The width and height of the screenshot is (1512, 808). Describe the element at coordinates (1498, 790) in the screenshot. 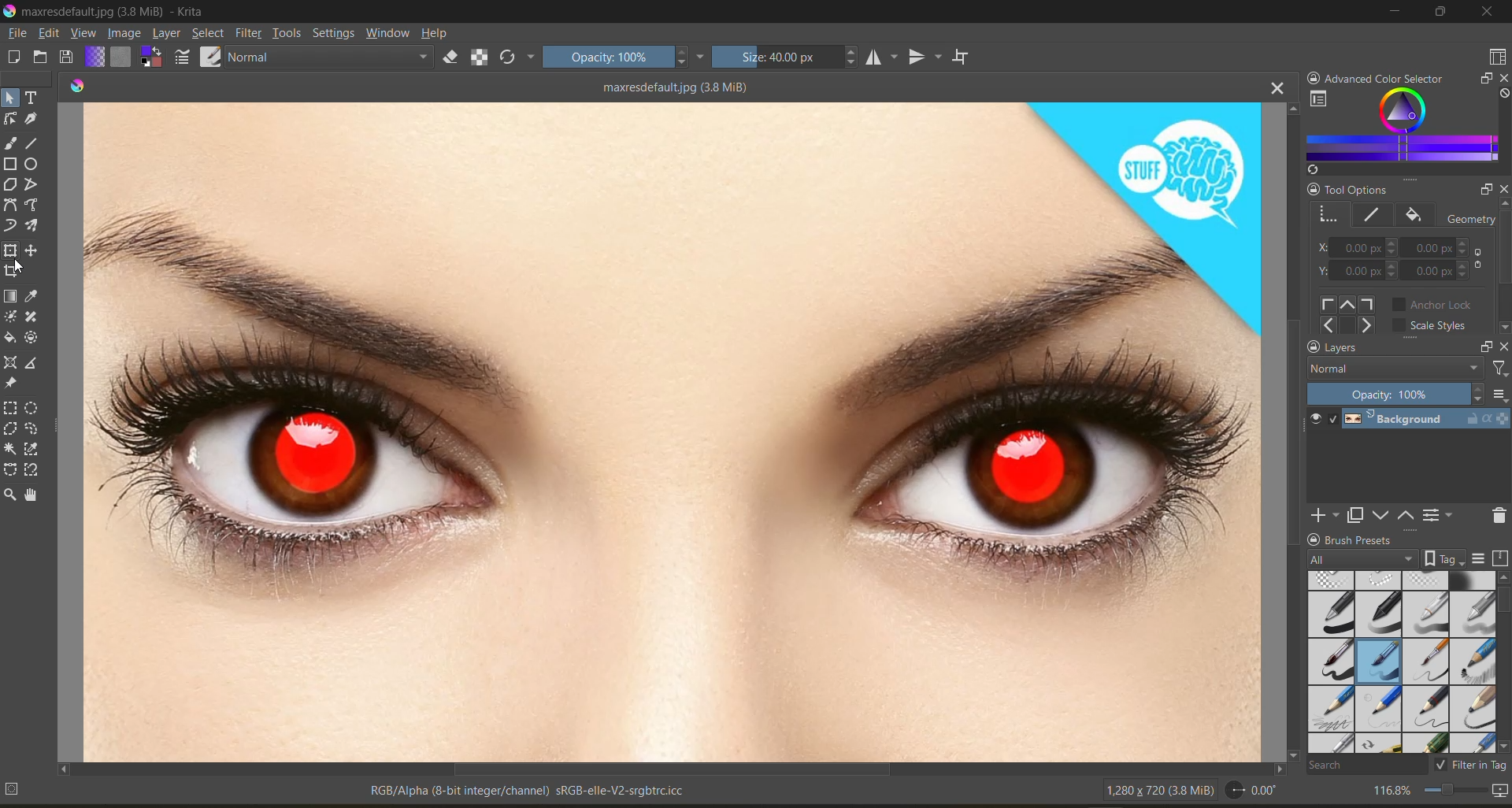

I see `map the canvas` at that location.